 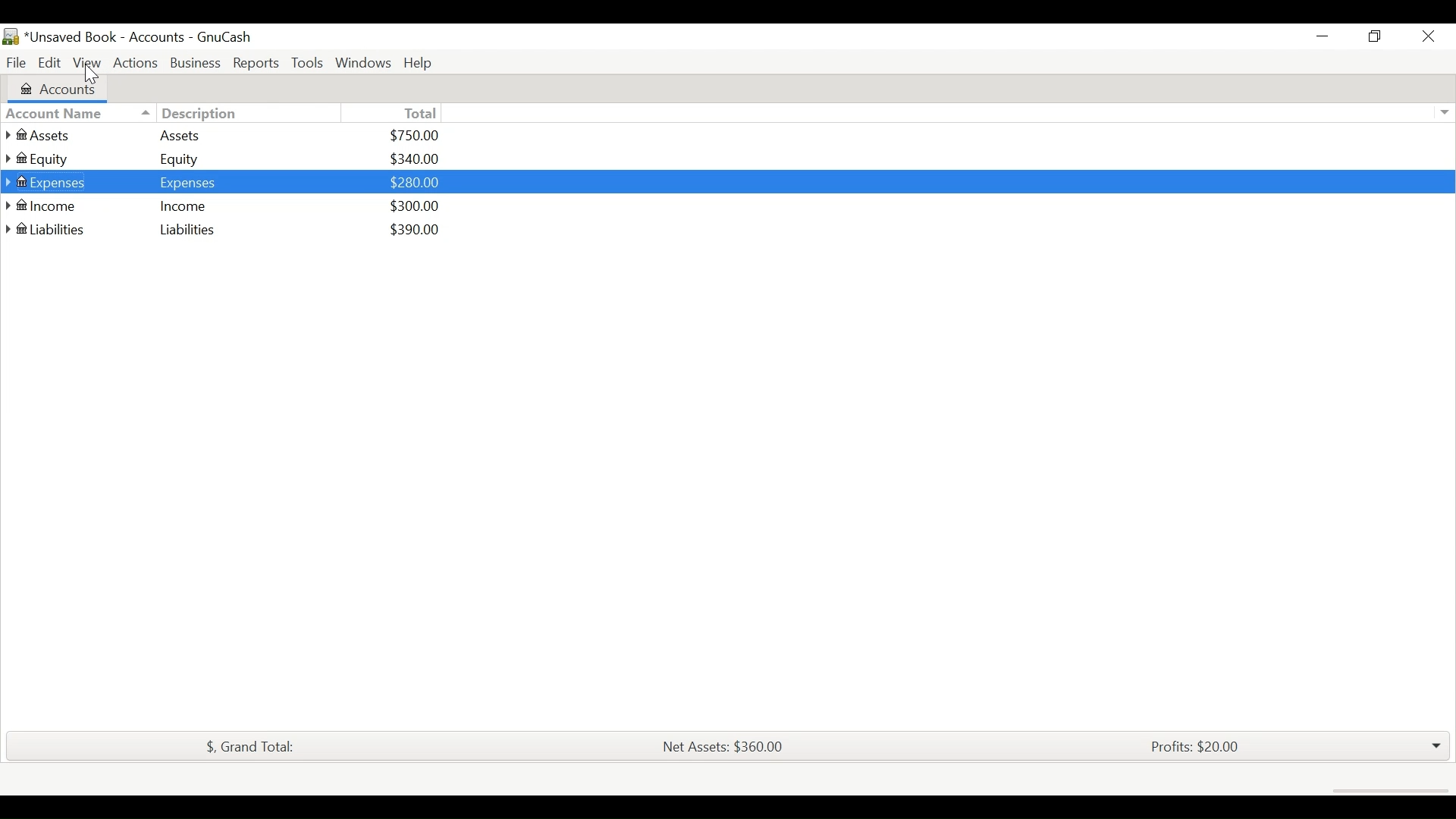 I want to click on $390.00, so click(x=417, y=230).